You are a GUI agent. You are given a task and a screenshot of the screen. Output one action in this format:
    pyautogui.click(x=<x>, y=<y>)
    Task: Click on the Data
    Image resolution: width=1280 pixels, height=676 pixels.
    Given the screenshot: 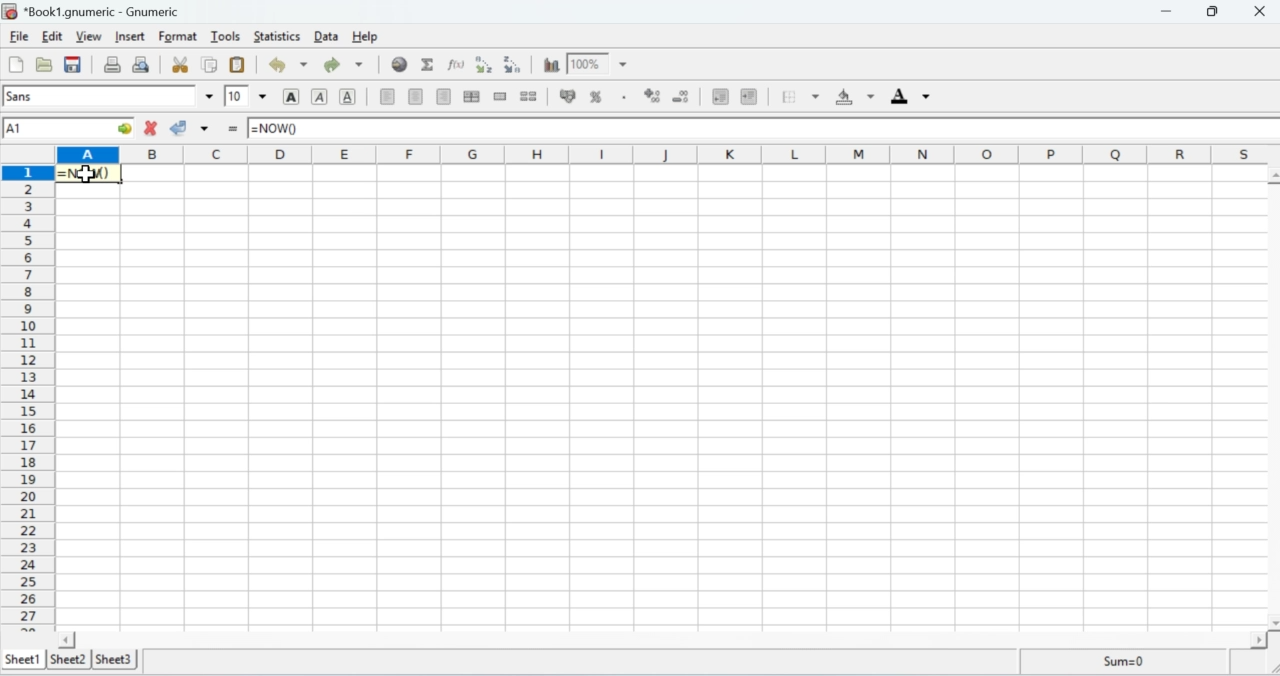 What is the action you would take?
    pyautogui.click(x=327, y=36)
    